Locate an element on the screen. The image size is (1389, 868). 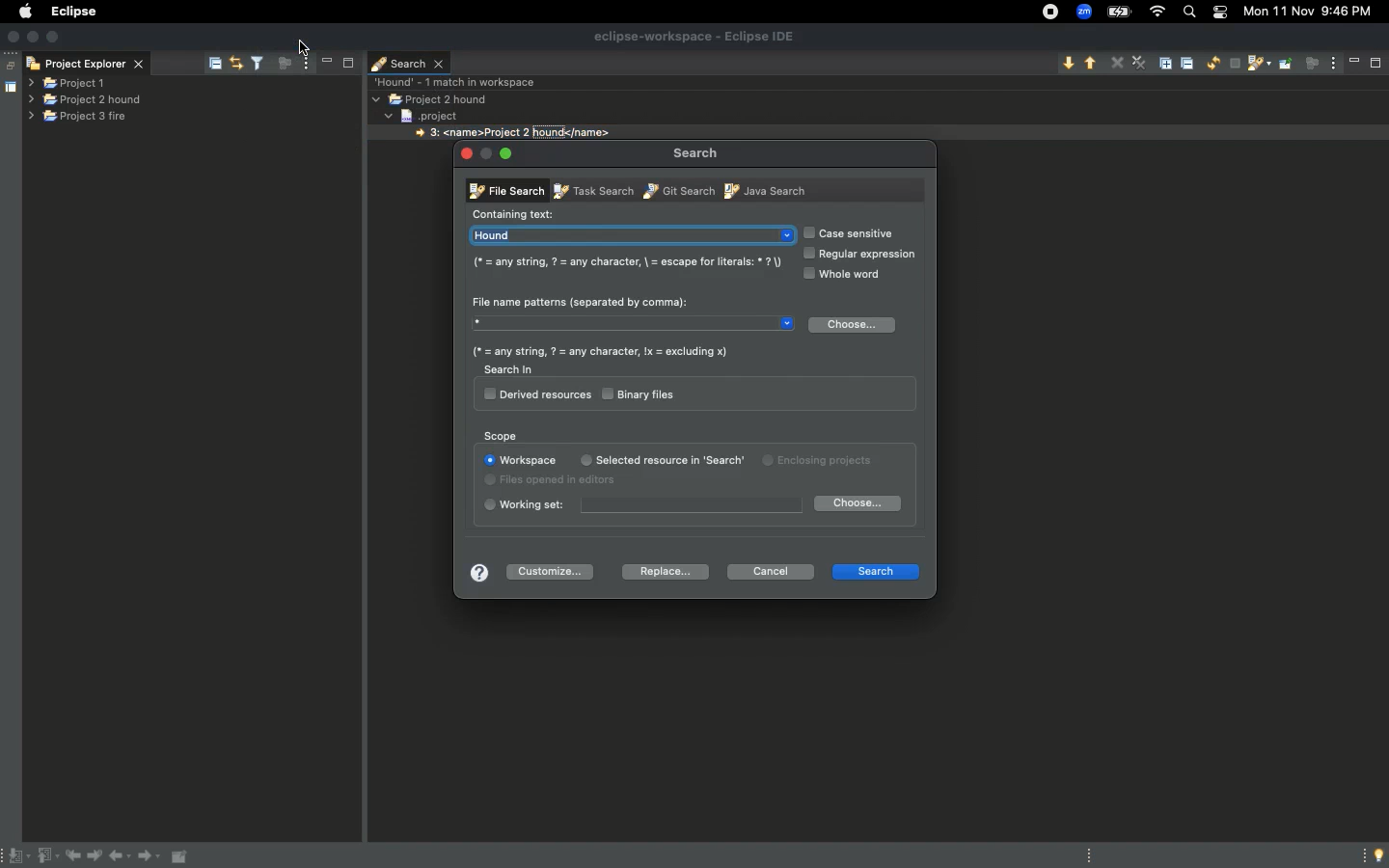
filter is located at coordinates (258, 63).